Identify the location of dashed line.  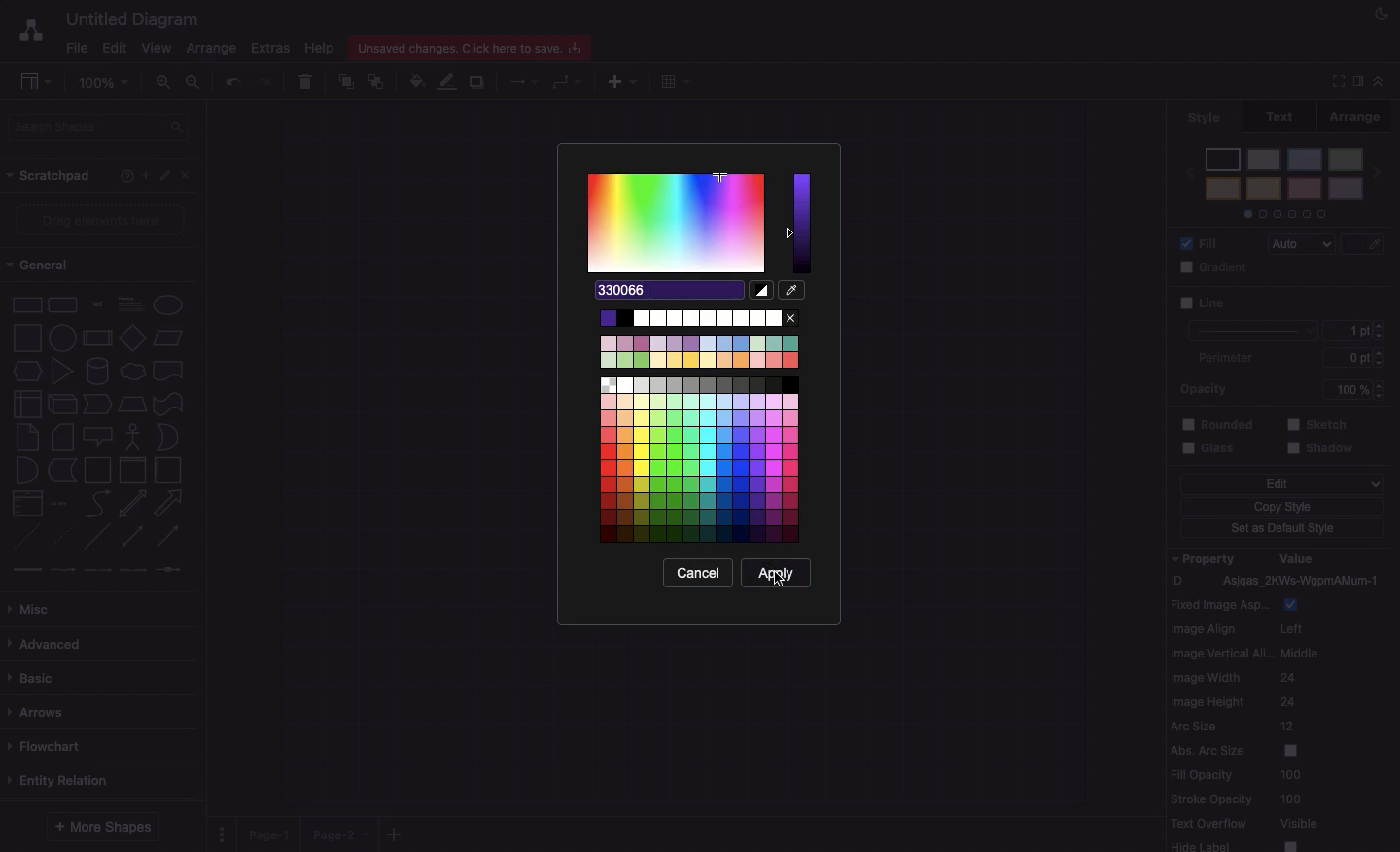
(21, 539).